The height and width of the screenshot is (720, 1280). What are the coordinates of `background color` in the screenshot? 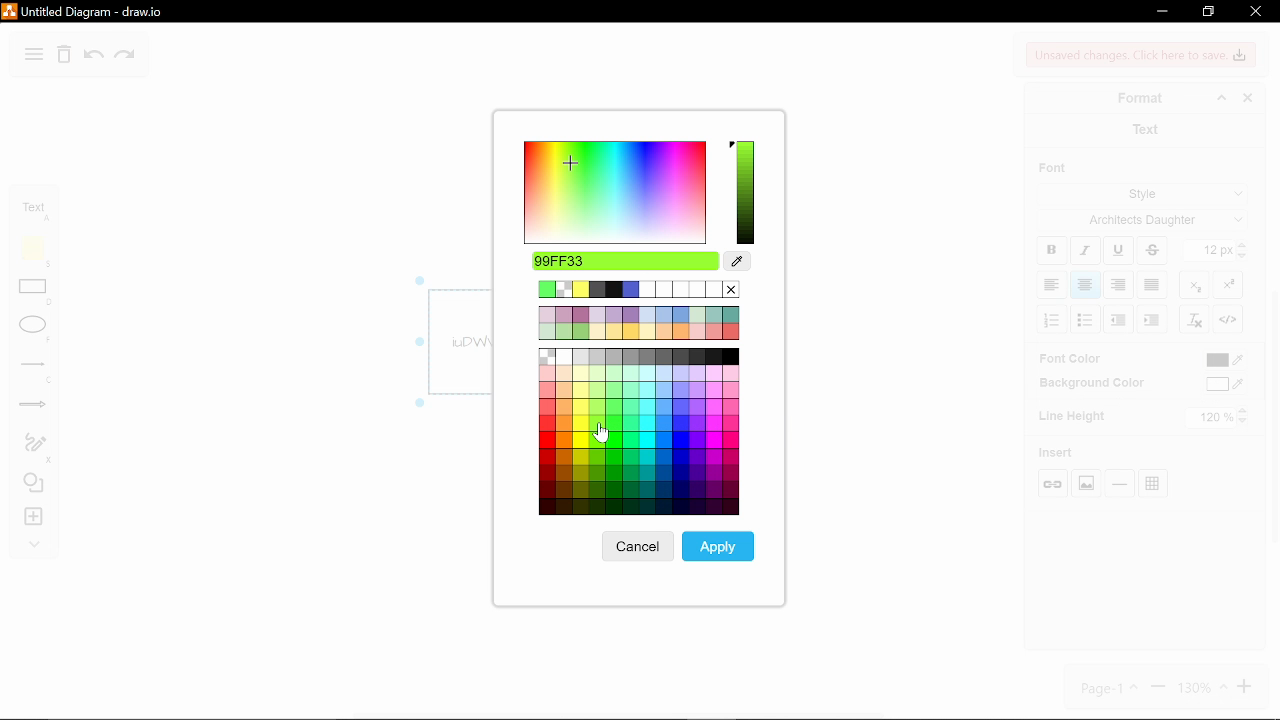 It's located at (1223, 384).